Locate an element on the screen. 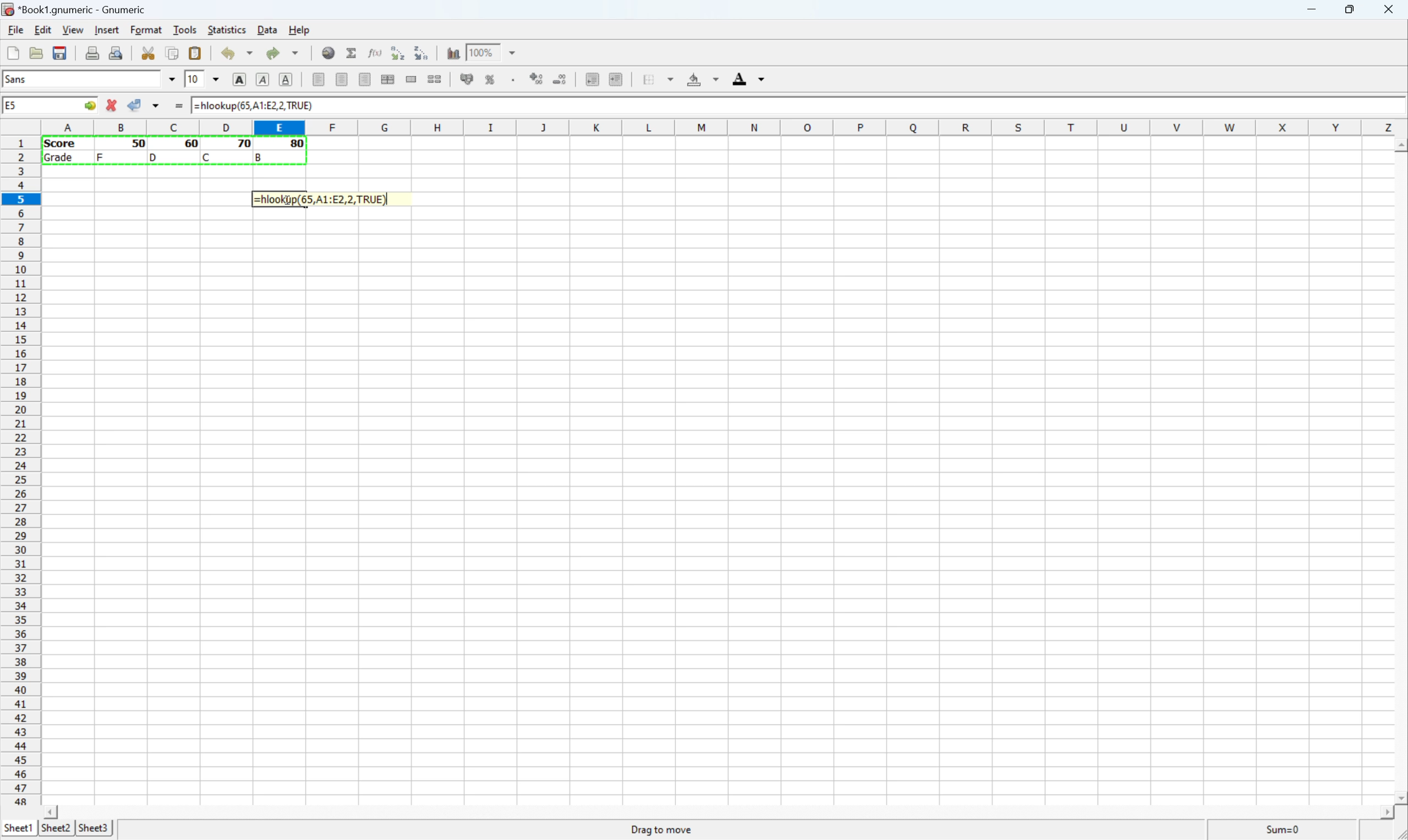 This screenshot has height=840, width=1408. Split Merged ranges of cell is located at coordinates (433, 81).